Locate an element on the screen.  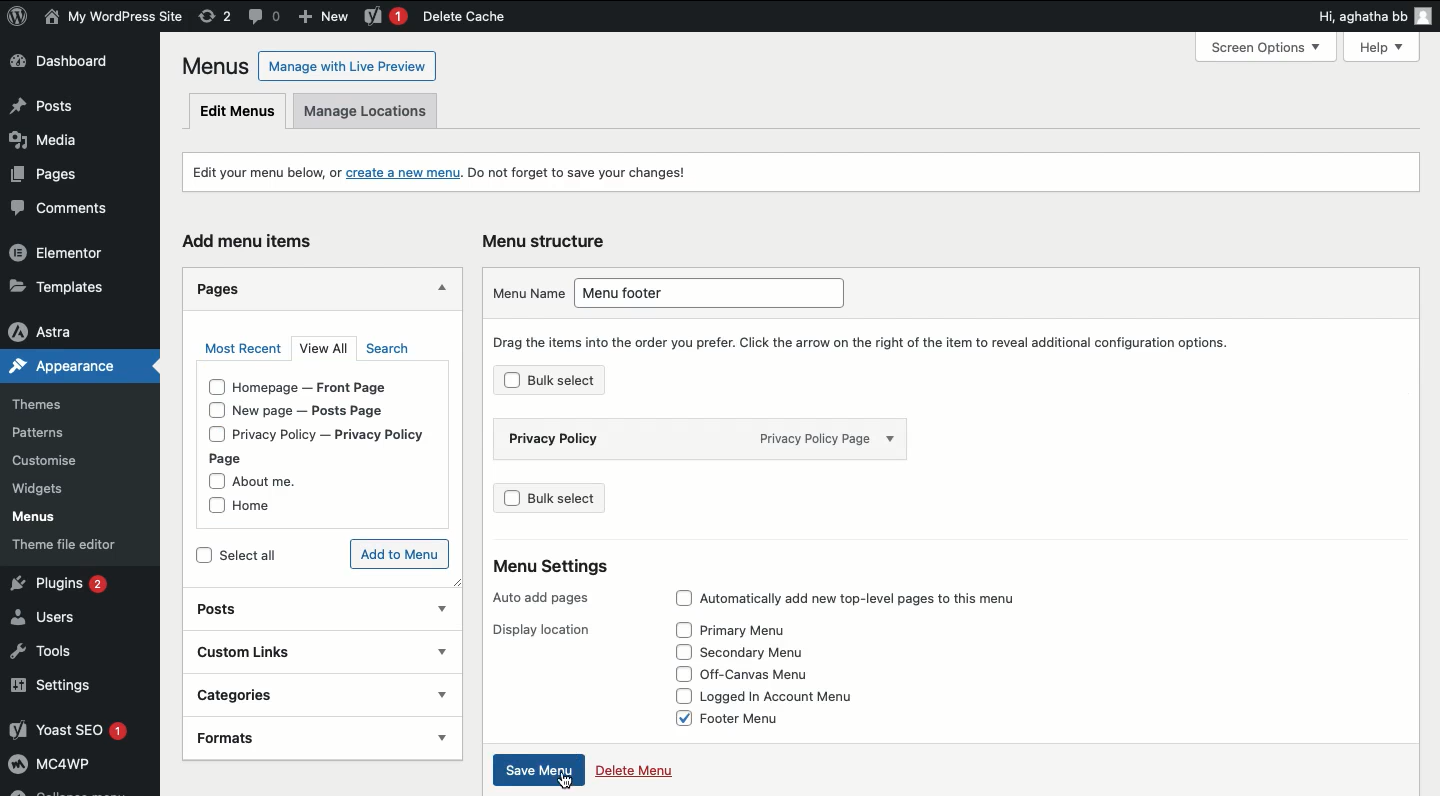
 secondary Menu is located at coordinates (773, 652).